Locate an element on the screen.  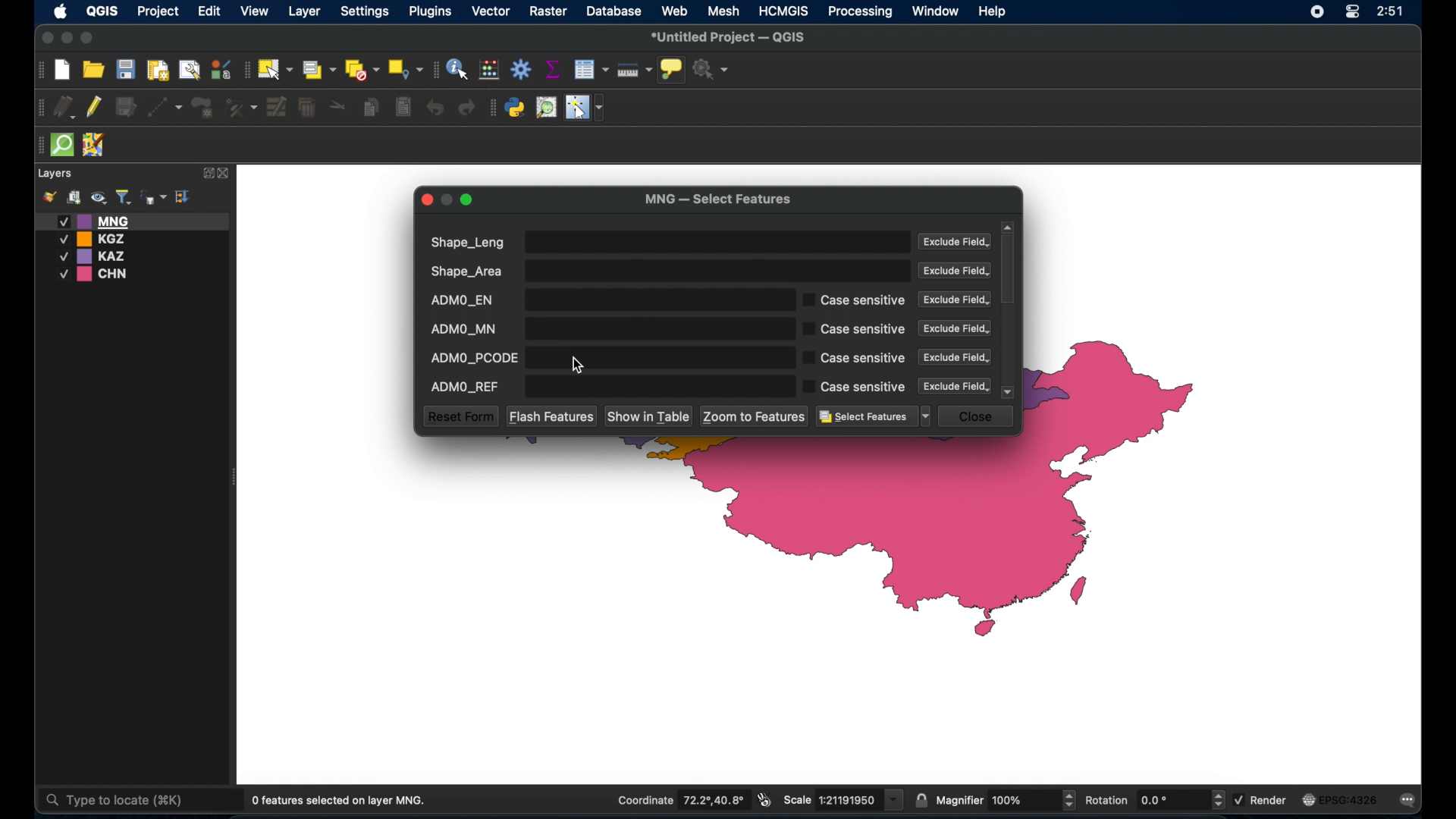
deselect all features is located at coordinates (362, 70).